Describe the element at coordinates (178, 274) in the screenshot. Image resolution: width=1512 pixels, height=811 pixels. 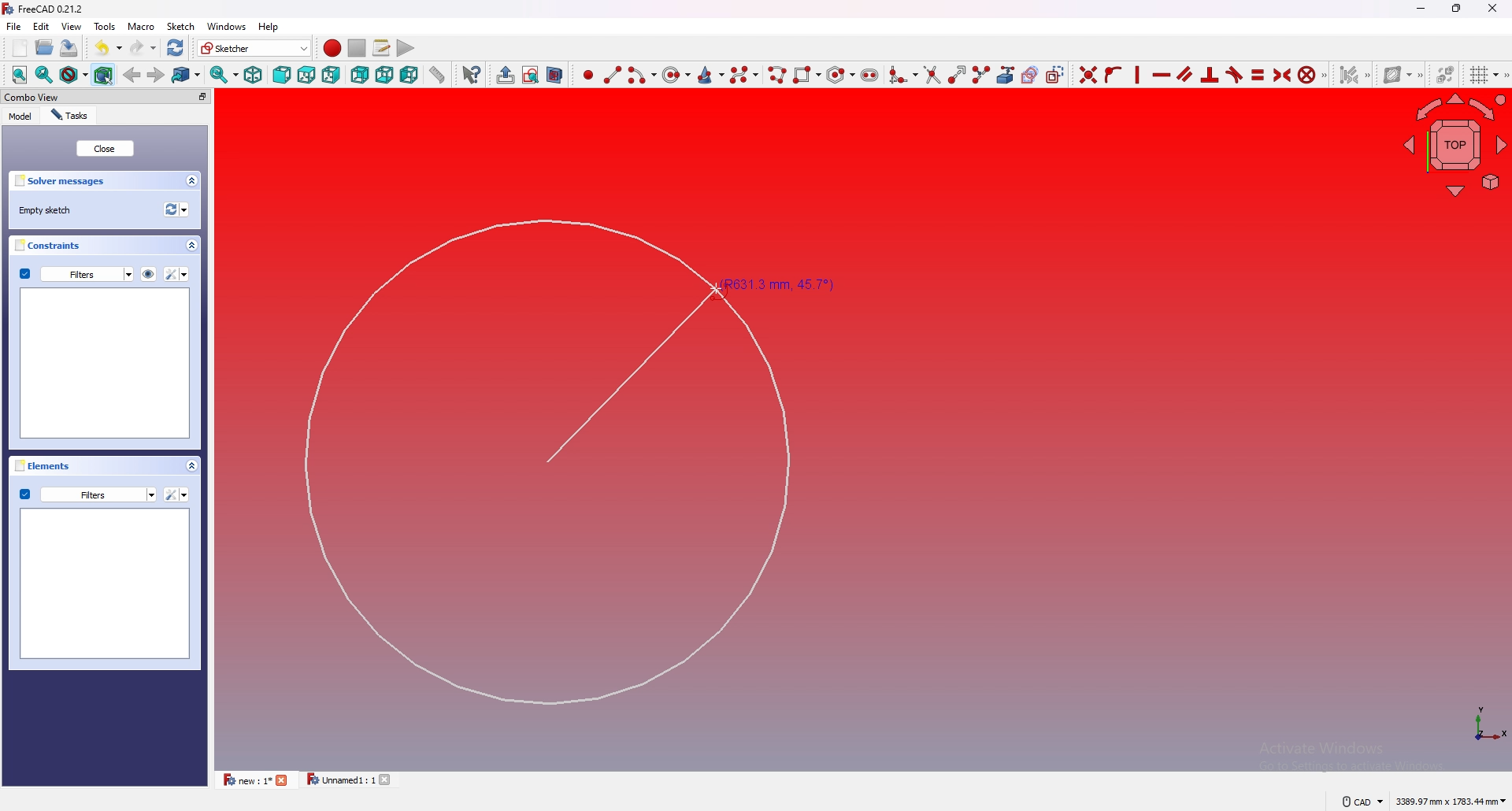
I see `settings` at that location.